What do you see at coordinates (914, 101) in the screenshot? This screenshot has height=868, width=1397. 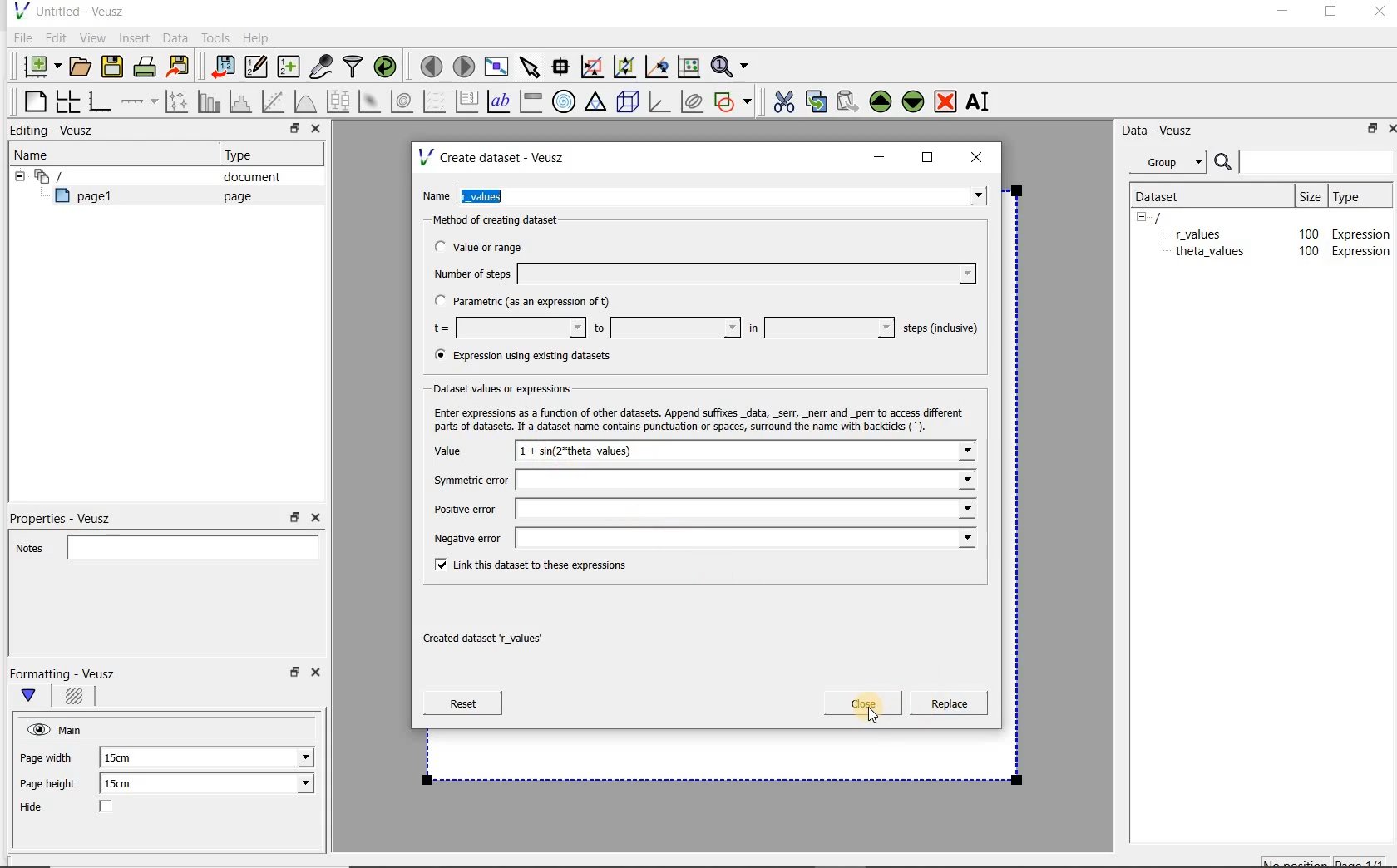 I see `Move the selected widget down` at bounding box center [914, 101].